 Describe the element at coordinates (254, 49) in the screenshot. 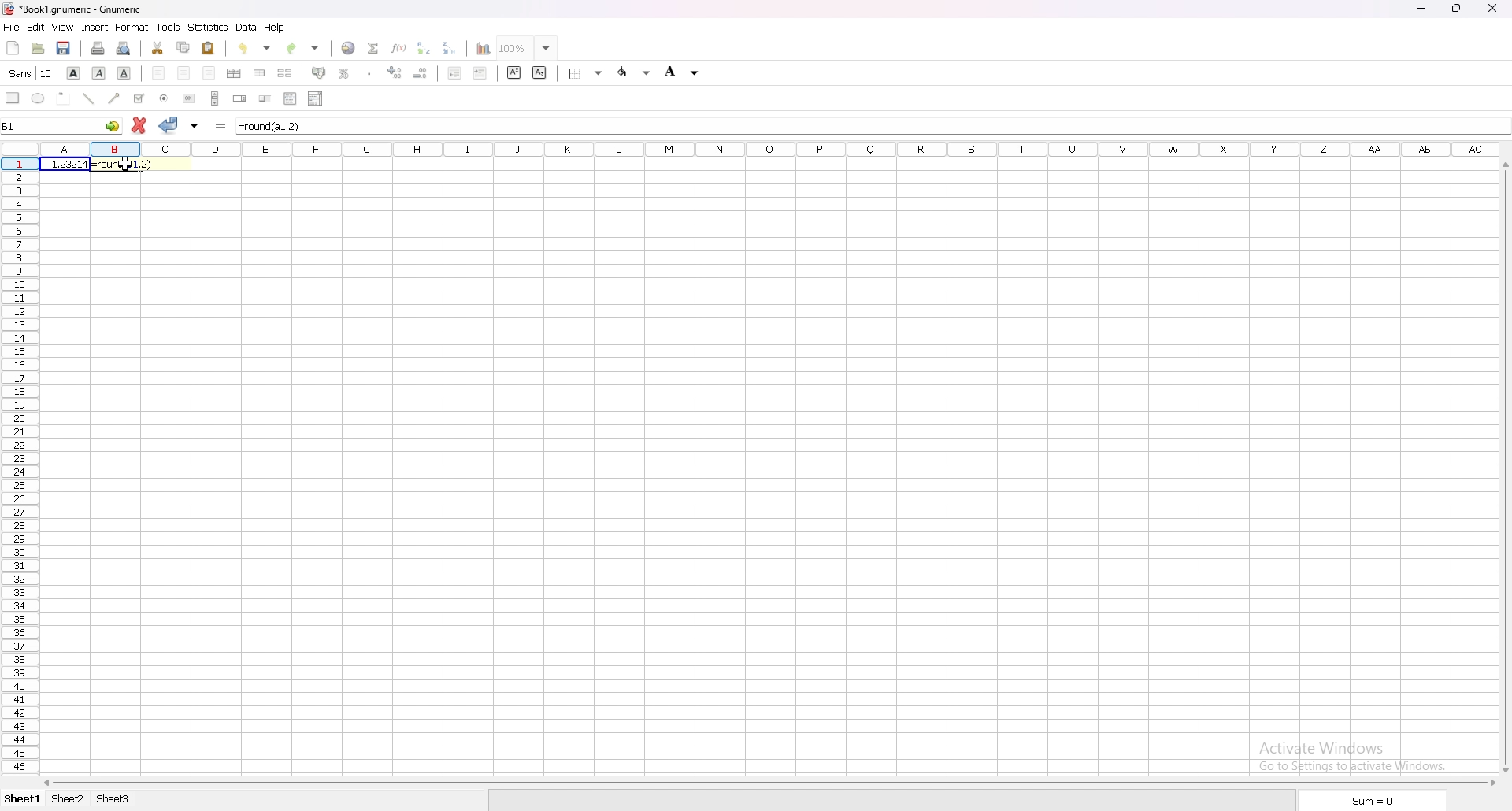

I see `undo` at that location.